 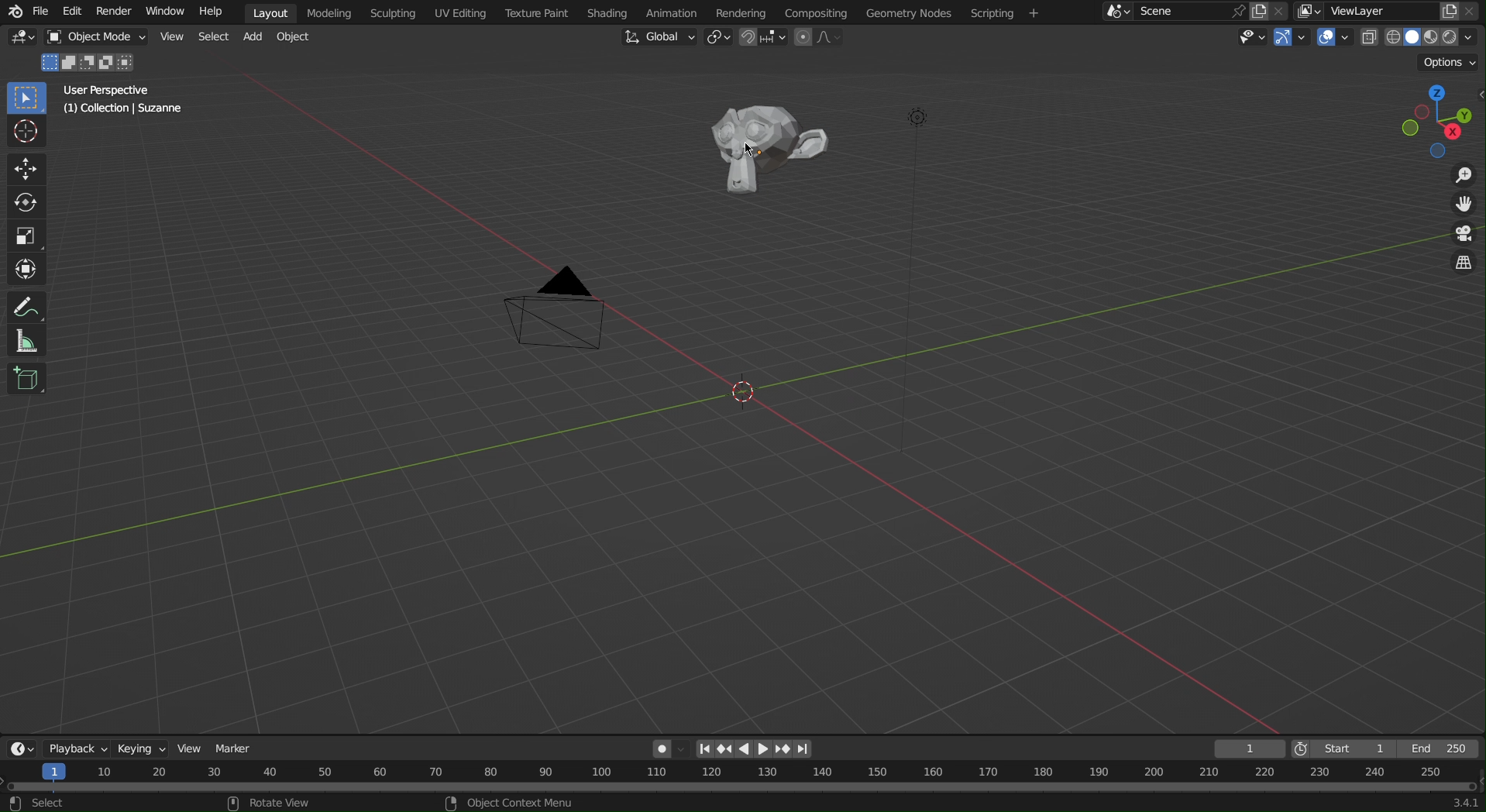 I want to click on Camera view, so click(x=1463, y=235).